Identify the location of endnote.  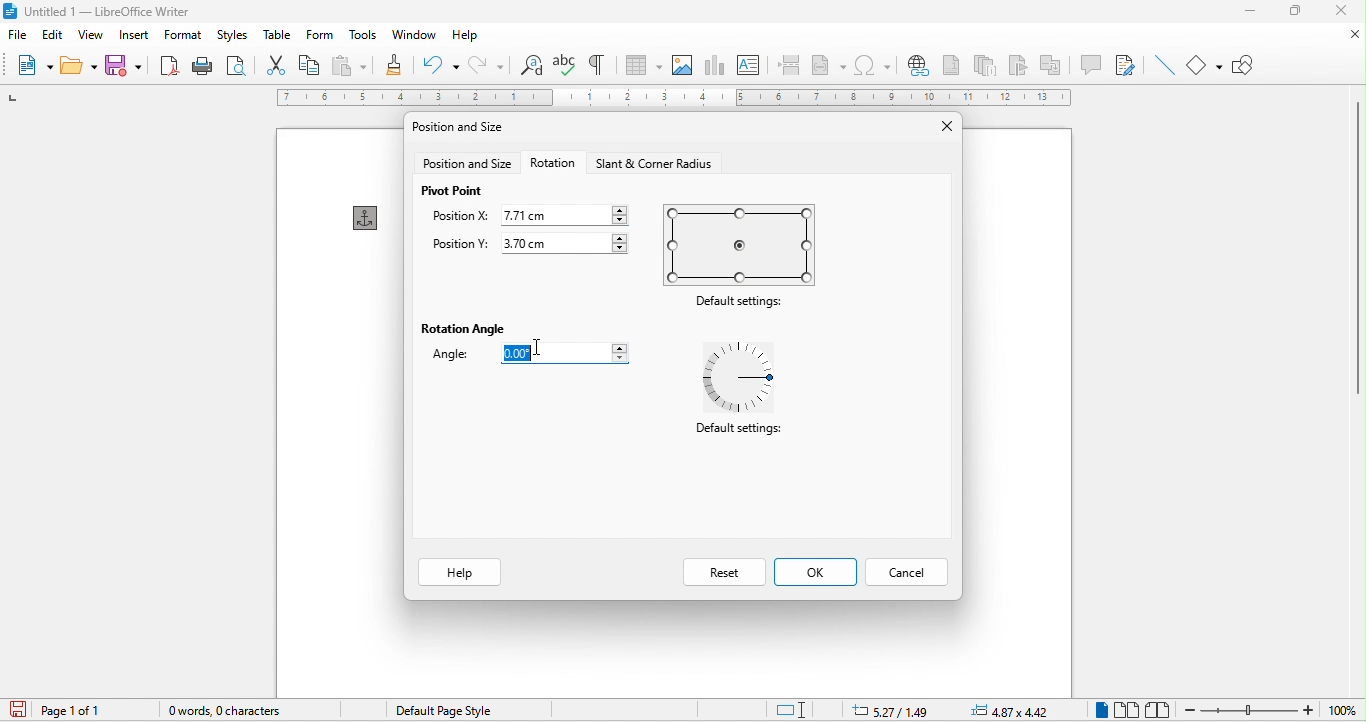
(986, 64).